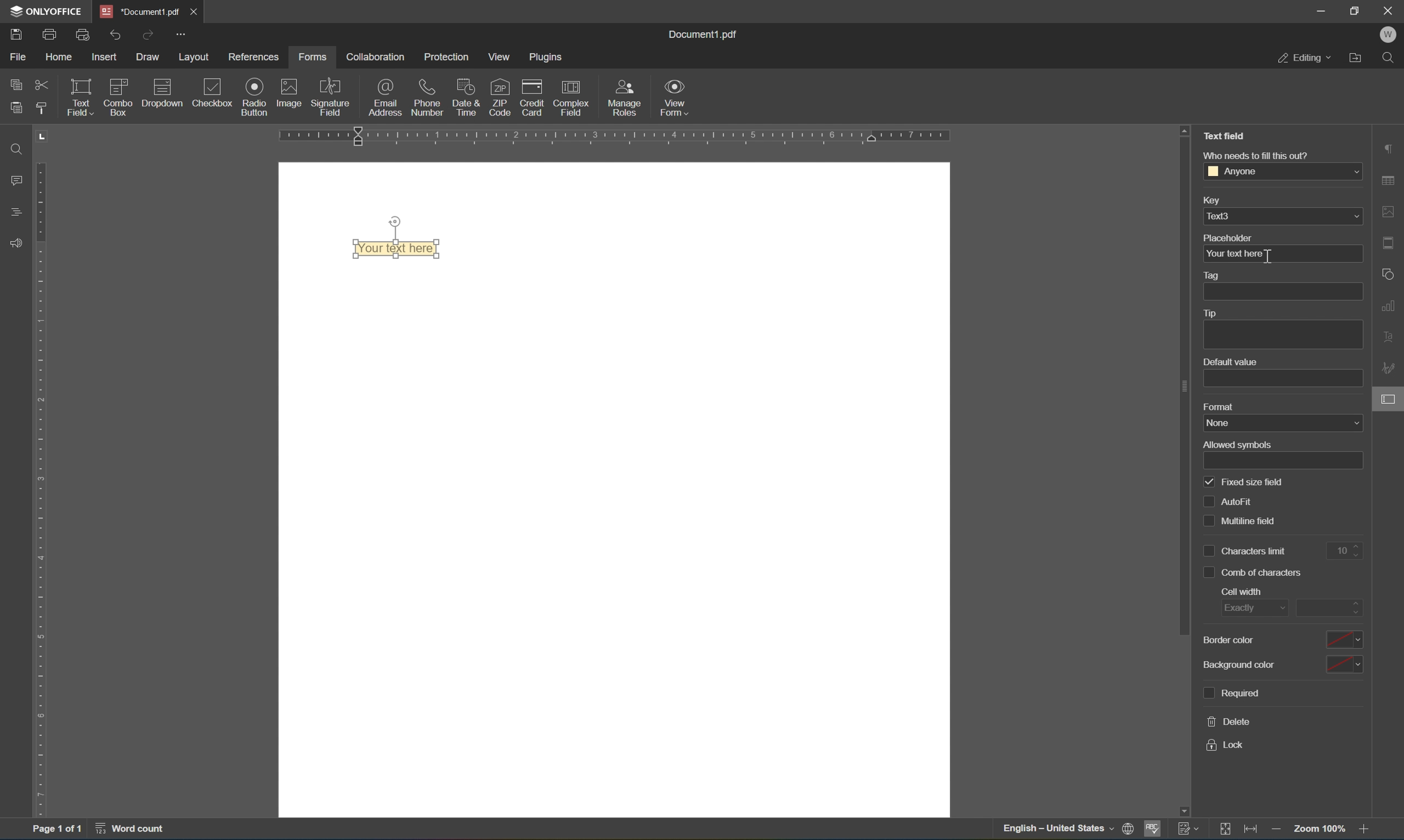 This screenshot has height=840, width=1404. What do you see at coordinates (1392, 242) in the screenshot?
I see `header and footer settings` at bounding box center [1392, 242].